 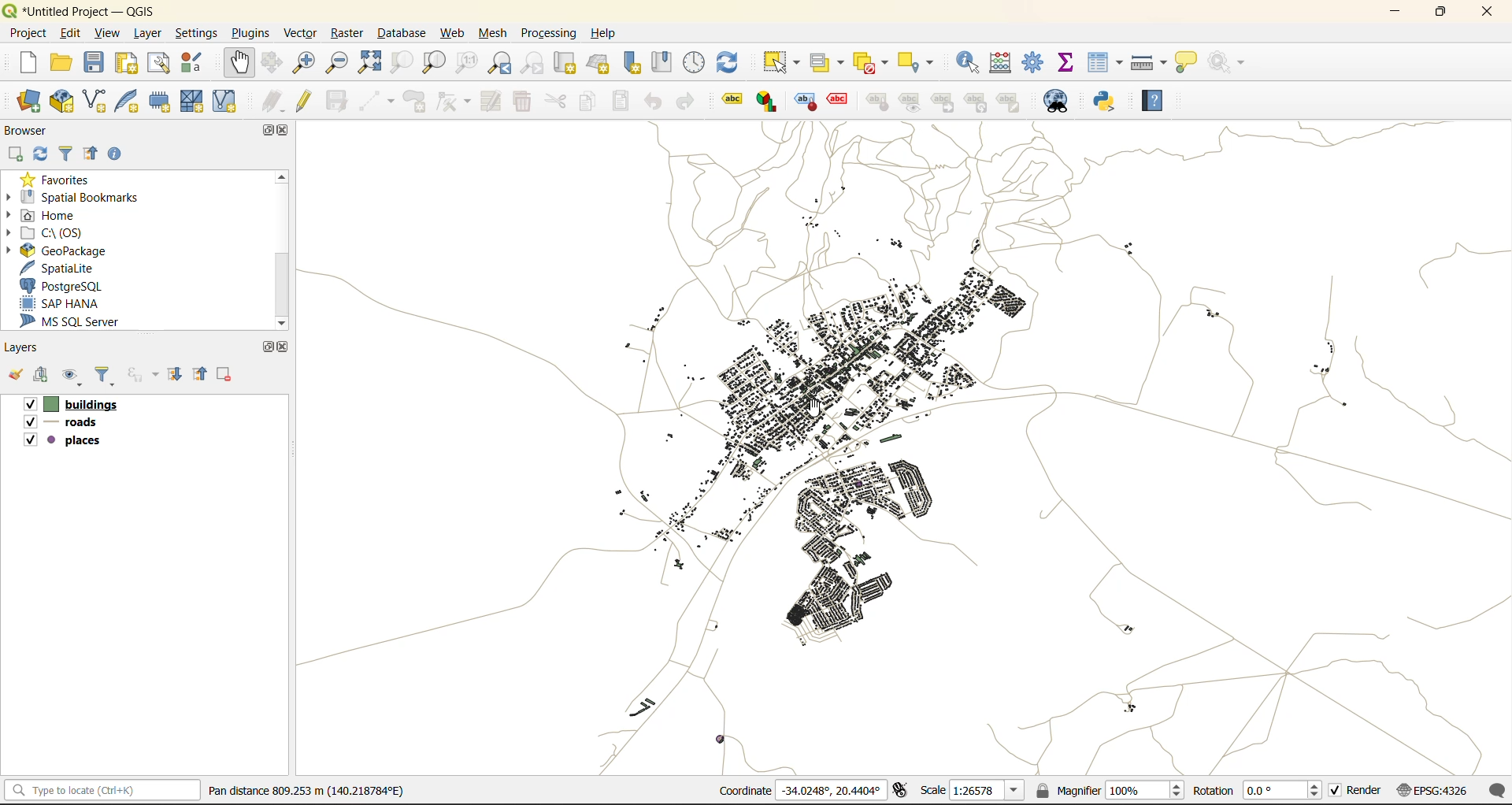 I want to click on open data source manager, so click(x=28, y=99).